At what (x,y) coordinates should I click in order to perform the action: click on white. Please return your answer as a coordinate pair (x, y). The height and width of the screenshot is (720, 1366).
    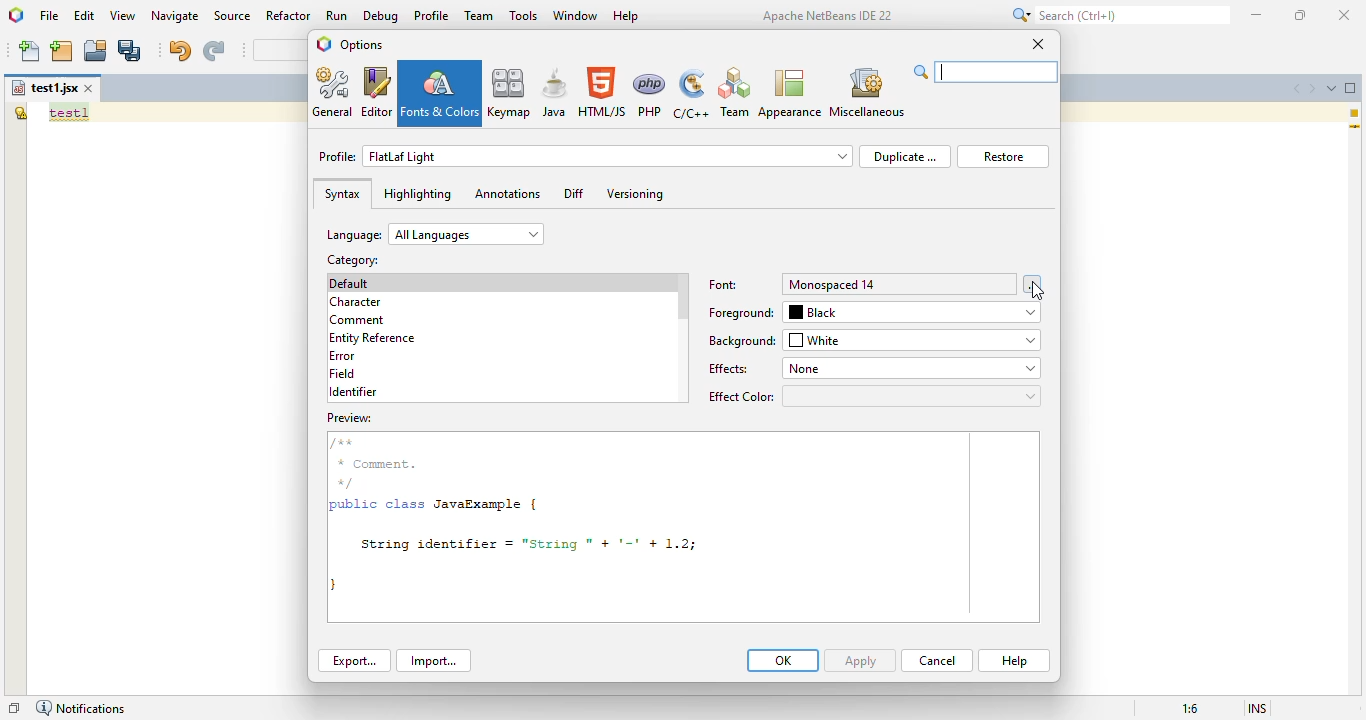
    Looking at the image, I should click on (913, 340).